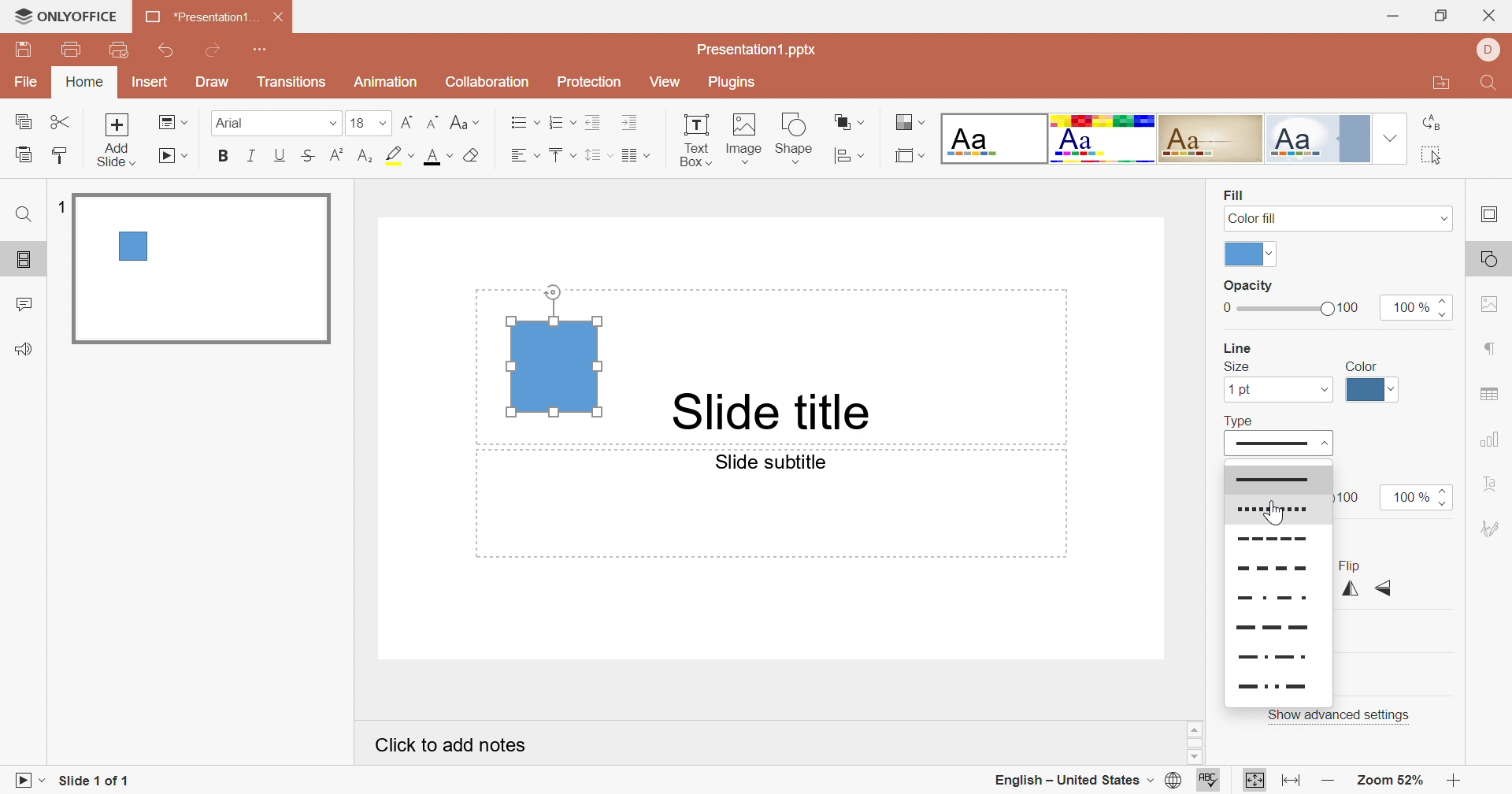 The image size is (1512, 794). I want to click on Arrange shape, so click(851, 121).